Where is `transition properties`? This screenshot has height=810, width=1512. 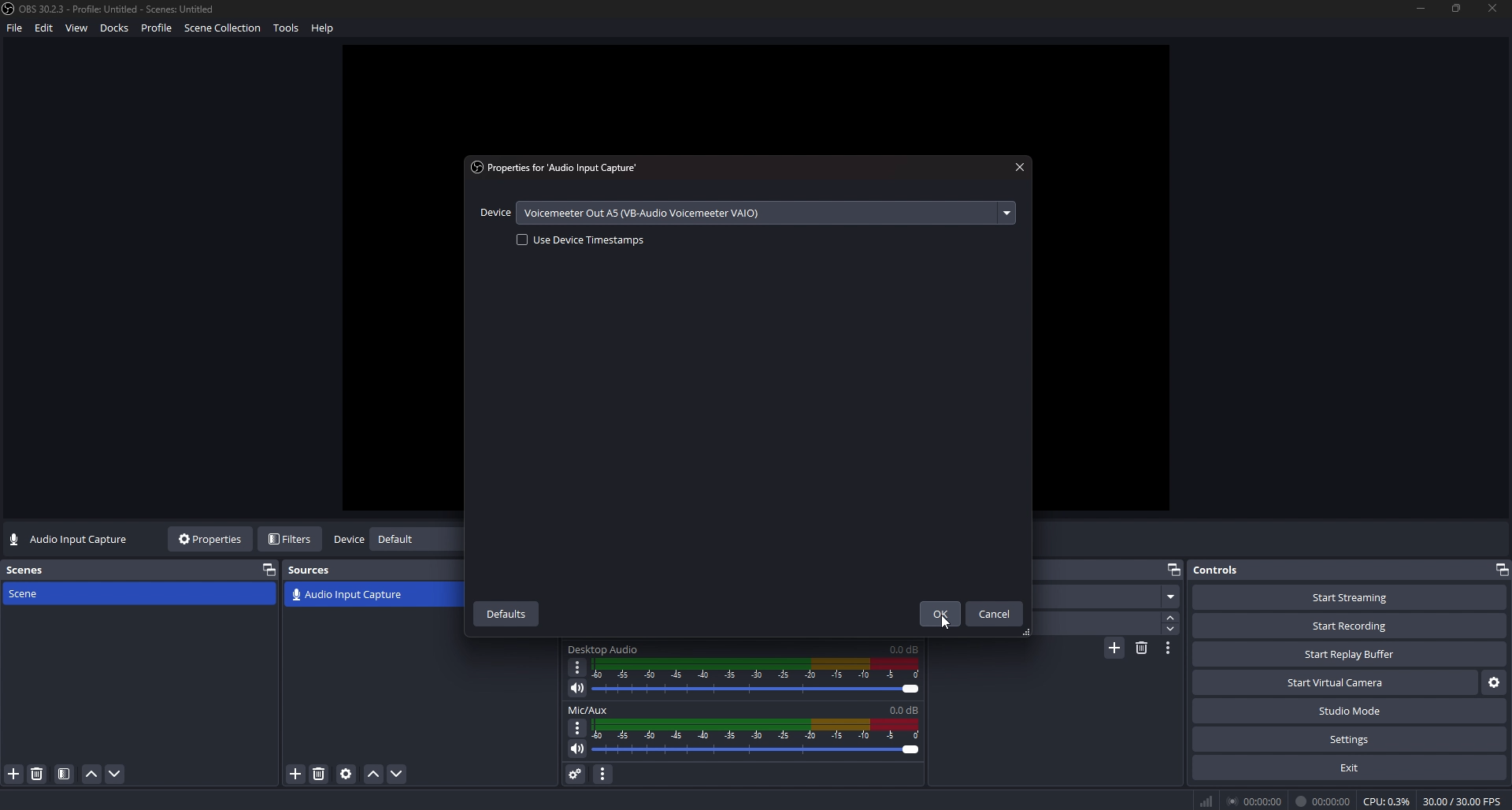
transition properties is located at coordinates (1169, 648).